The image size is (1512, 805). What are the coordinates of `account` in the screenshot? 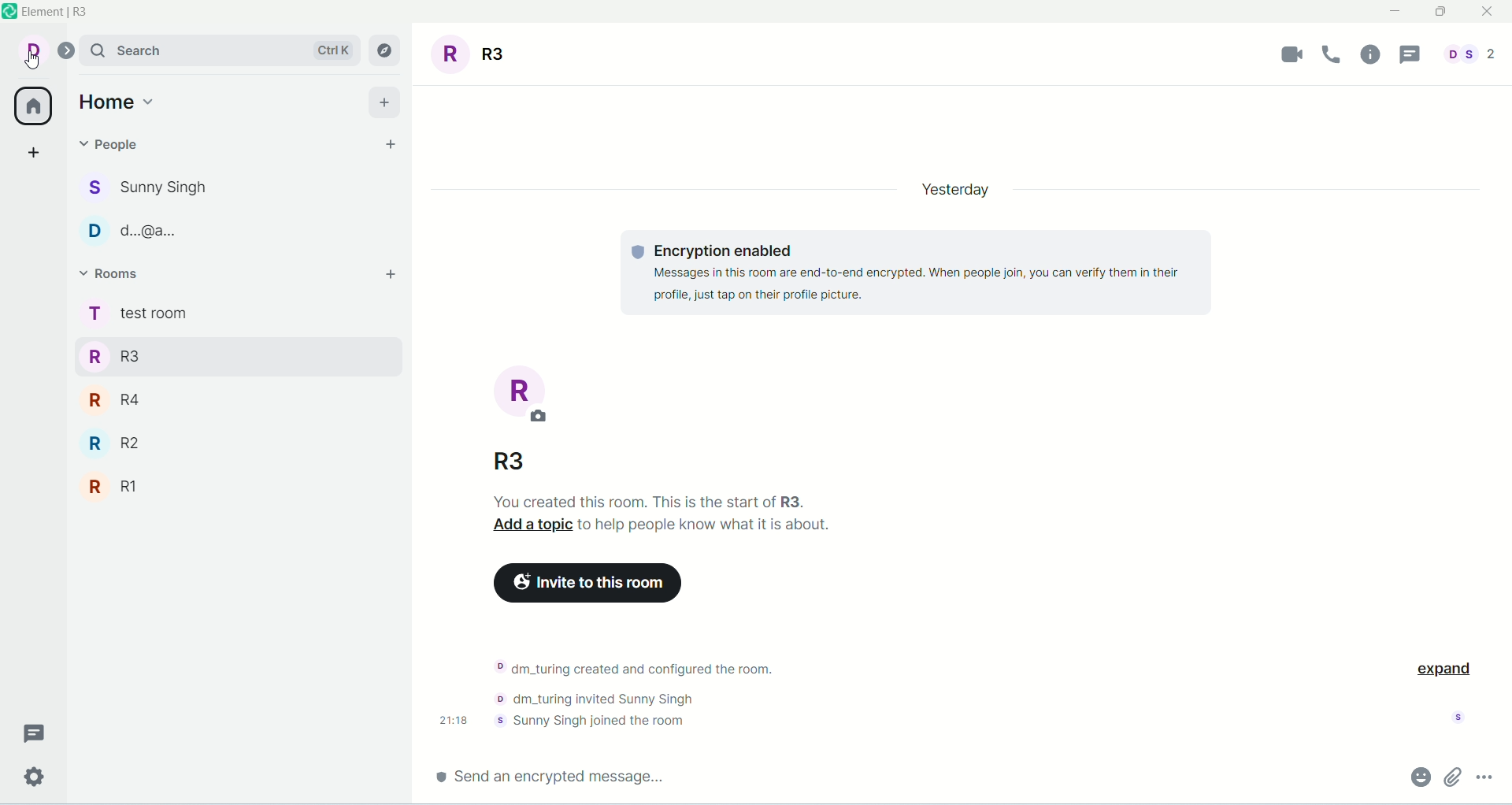 It's located at (44, 51).